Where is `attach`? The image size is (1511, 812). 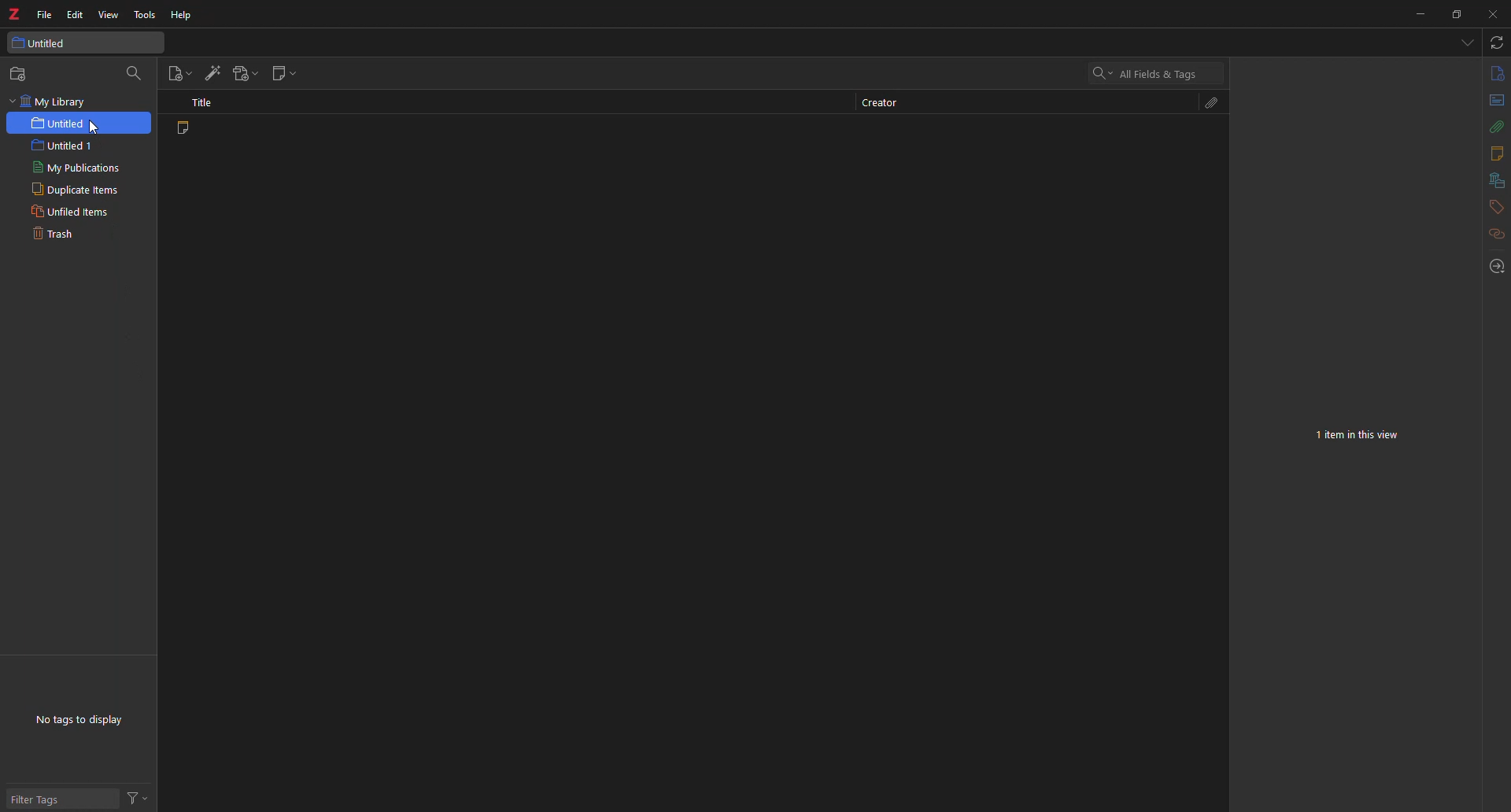 attach is located at coordinates (1491, 127).